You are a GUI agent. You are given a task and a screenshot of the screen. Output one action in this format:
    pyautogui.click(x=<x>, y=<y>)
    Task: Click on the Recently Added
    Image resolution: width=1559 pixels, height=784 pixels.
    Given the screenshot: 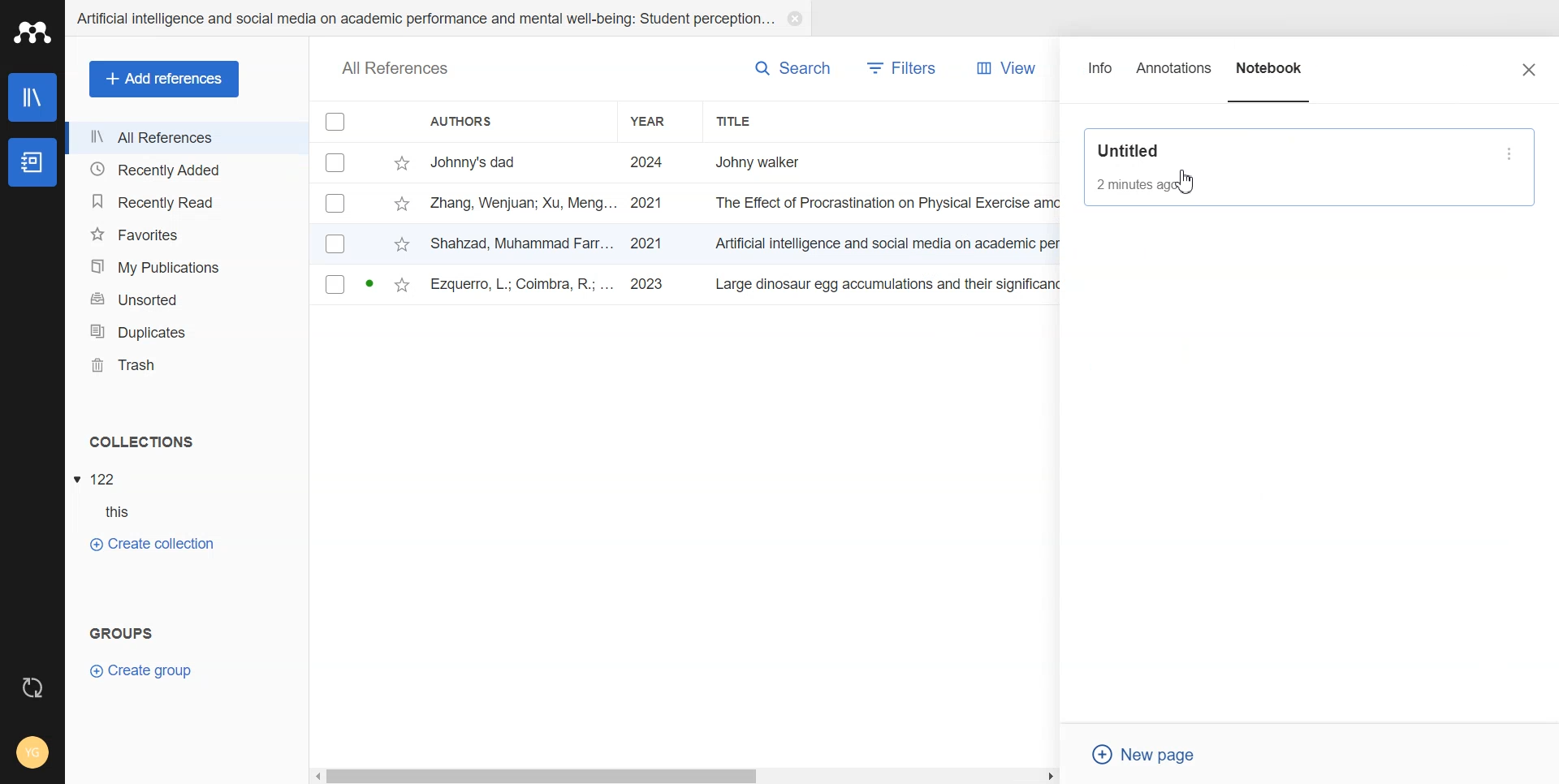 What is the action you would take?
    pyautogui.click(x=186, y=168)
    